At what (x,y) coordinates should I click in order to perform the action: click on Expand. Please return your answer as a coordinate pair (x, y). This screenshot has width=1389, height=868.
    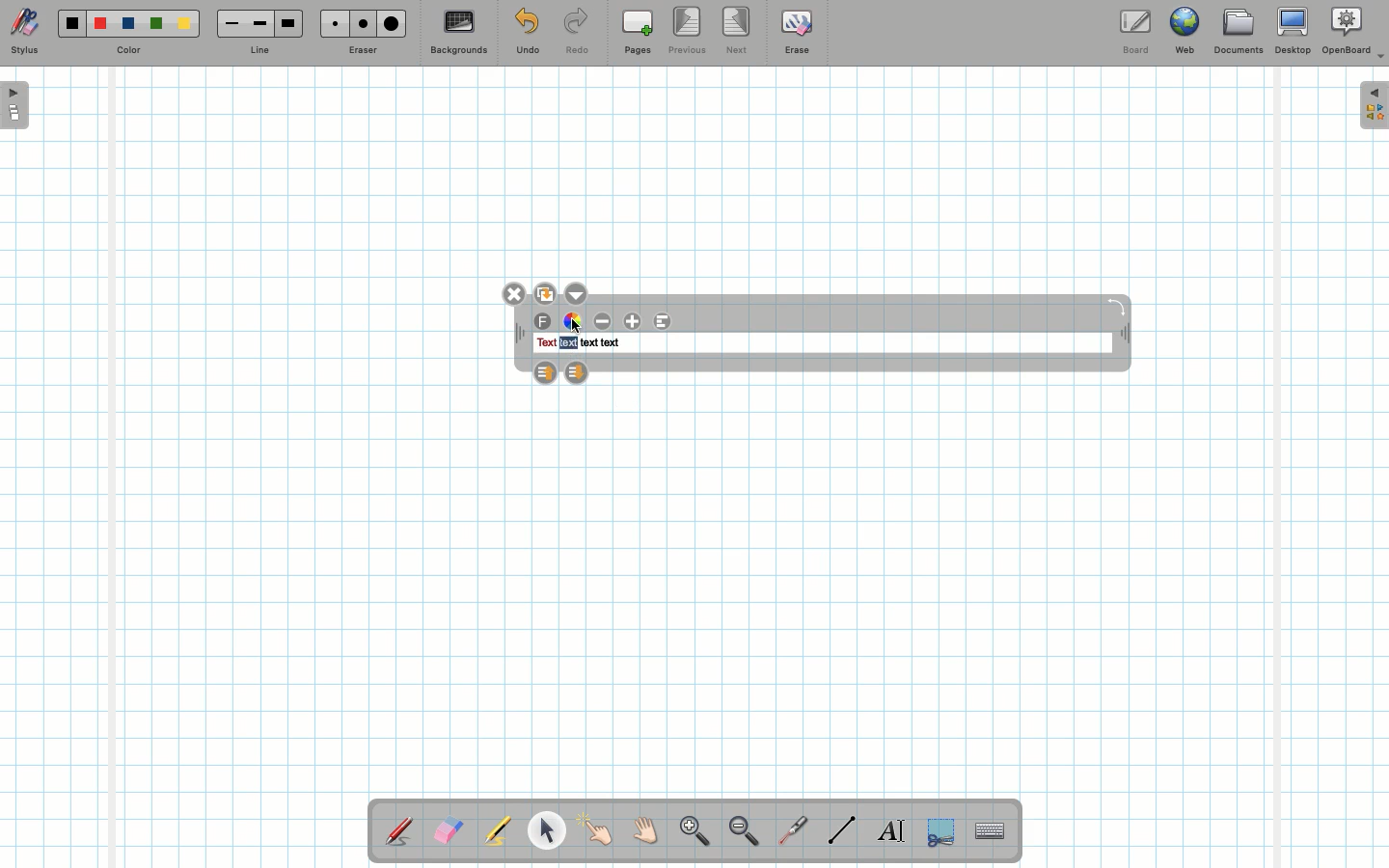
    Looking at the image, I should click on (1374, 105).